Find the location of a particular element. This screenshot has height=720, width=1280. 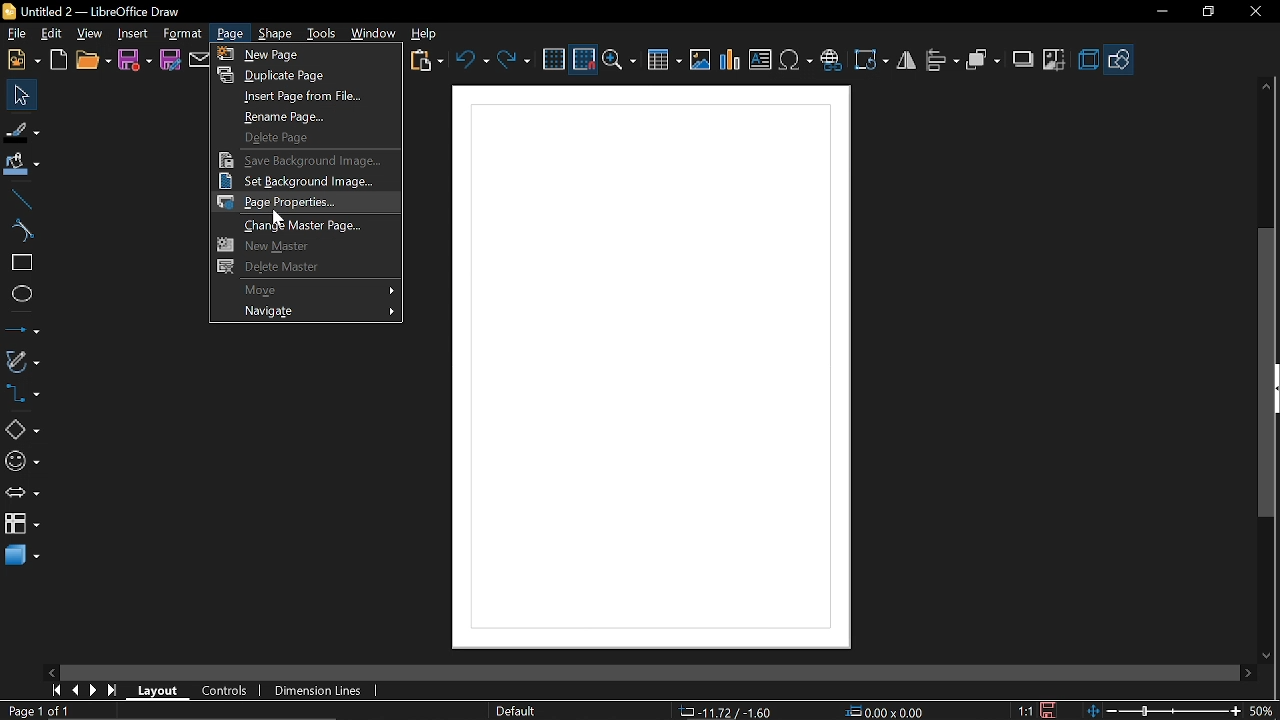

Navigate is located at coordinates (307, 314).